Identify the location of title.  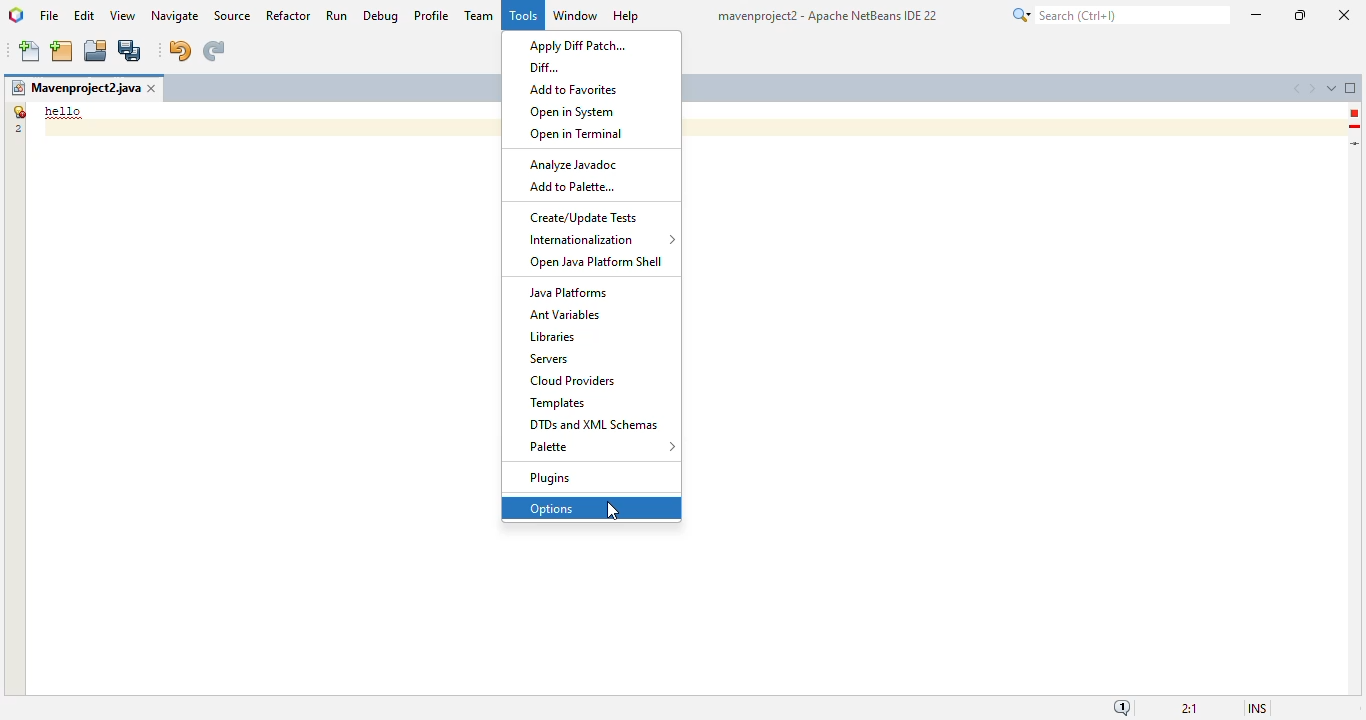
(826, 16).